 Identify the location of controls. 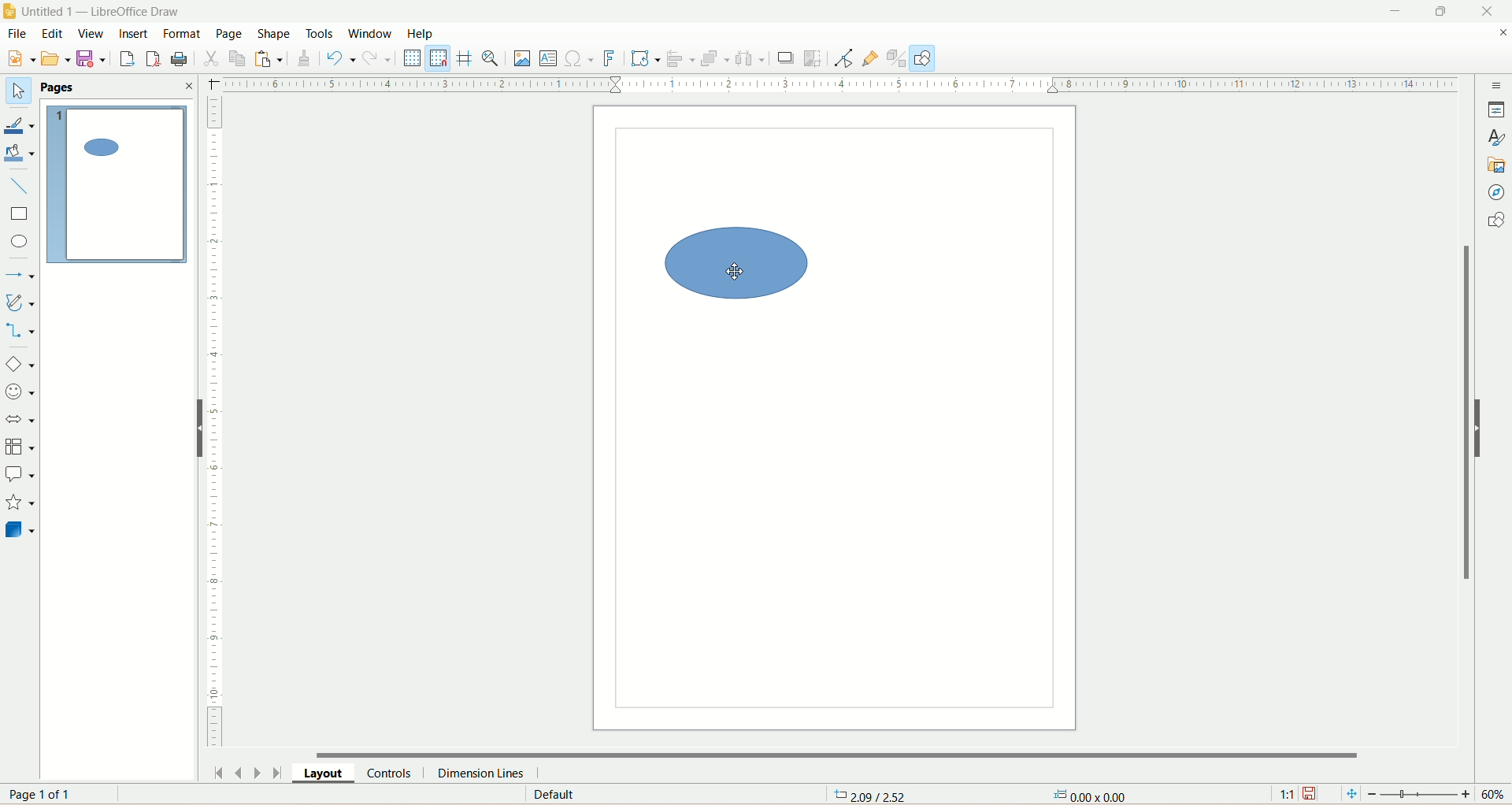
(393, 773).